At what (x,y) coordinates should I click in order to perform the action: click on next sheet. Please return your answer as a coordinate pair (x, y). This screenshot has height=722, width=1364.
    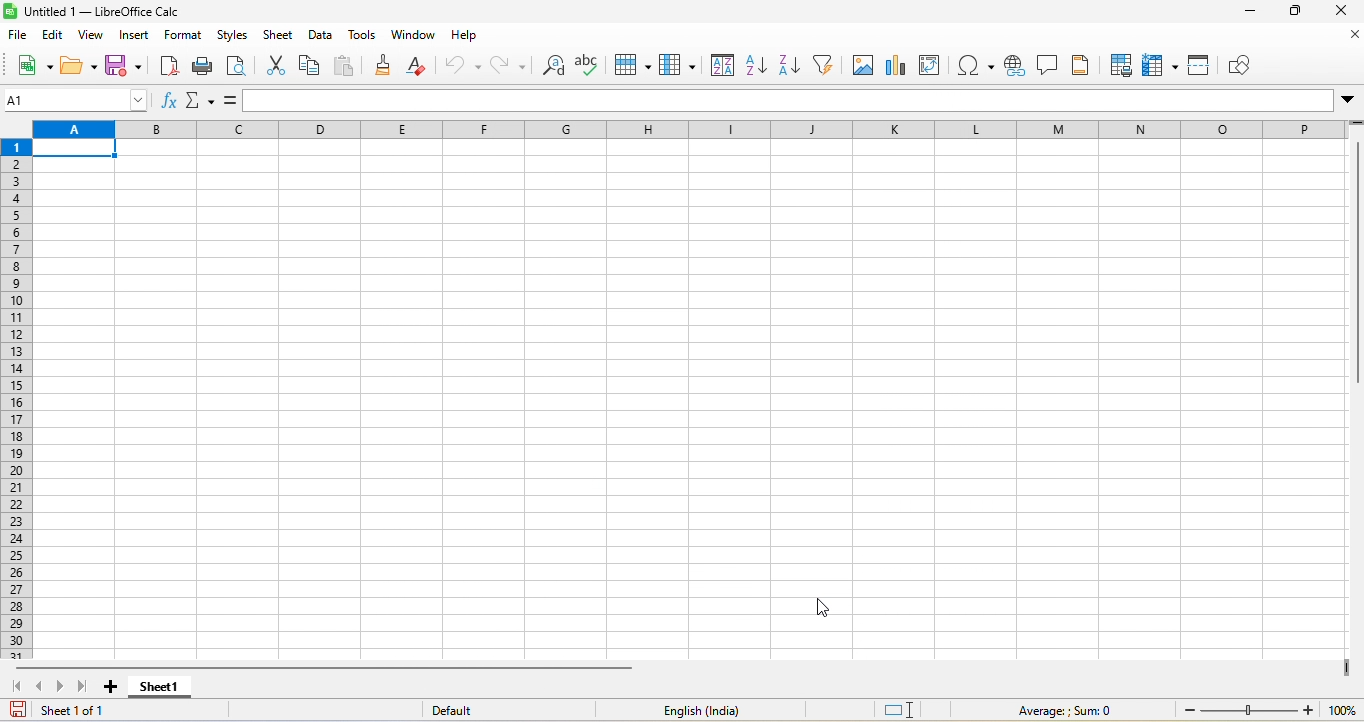
    Looking at the image, I should click on (59, 689).